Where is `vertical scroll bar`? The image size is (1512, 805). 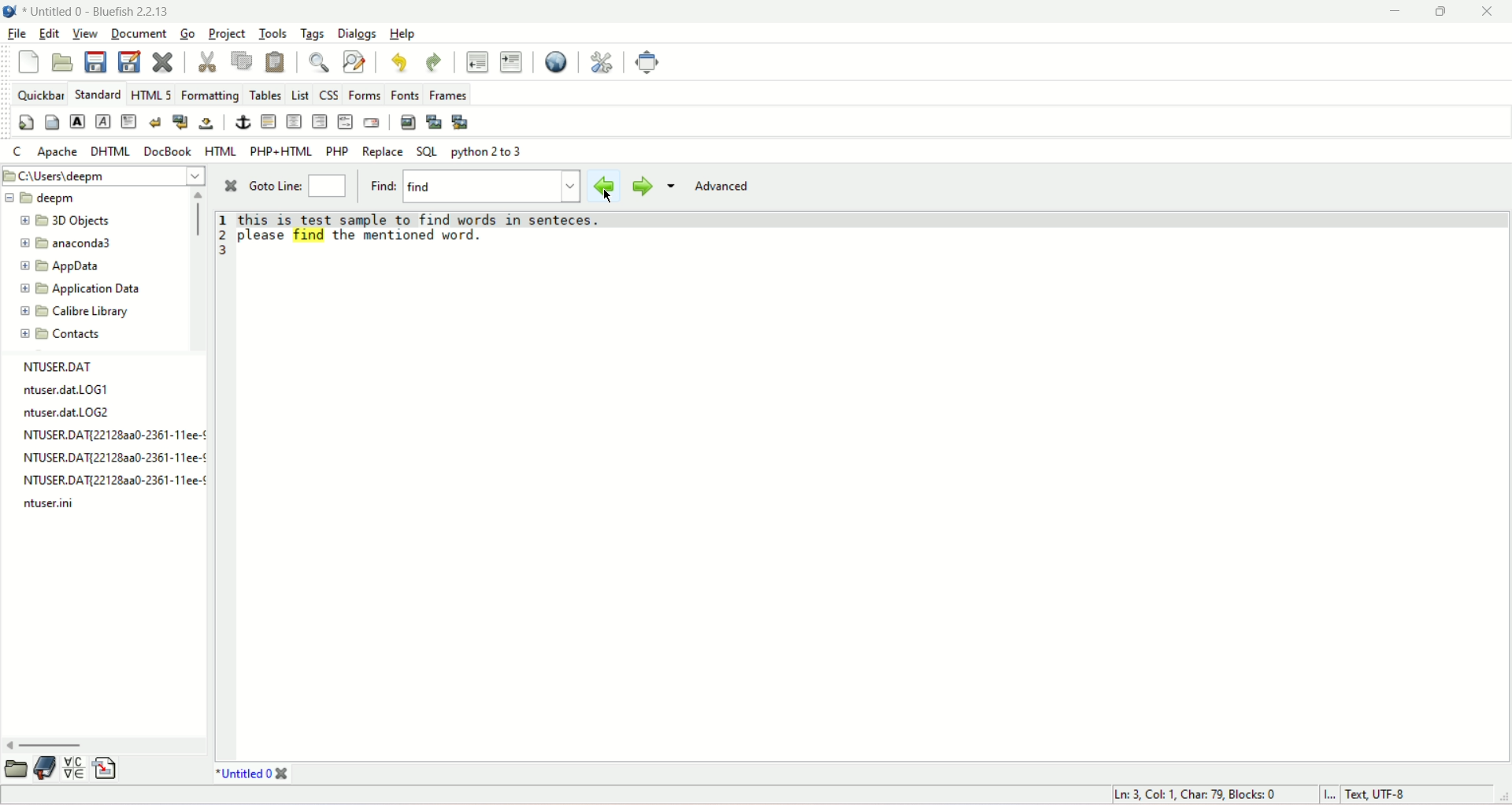
vertical scroll bar is located at coordinates (197, 221).